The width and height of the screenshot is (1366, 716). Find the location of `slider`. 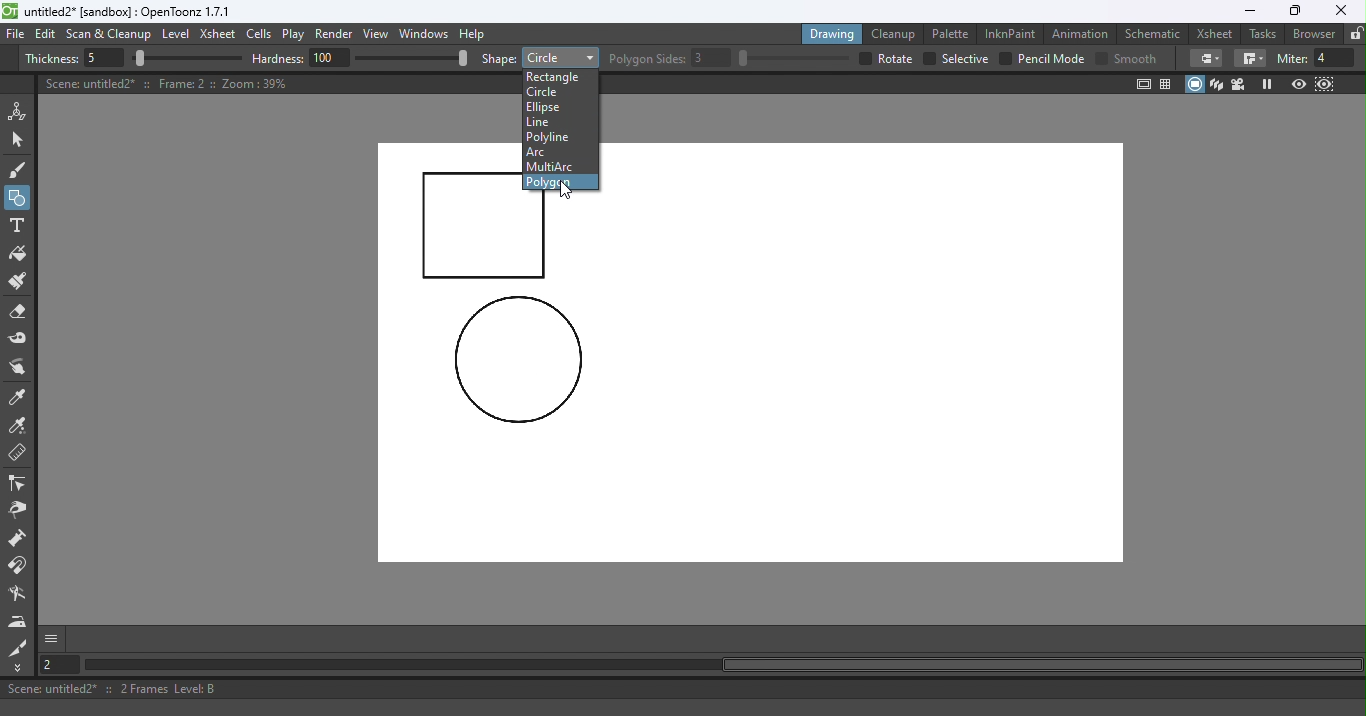

slider is located at coordinates (187, 59).